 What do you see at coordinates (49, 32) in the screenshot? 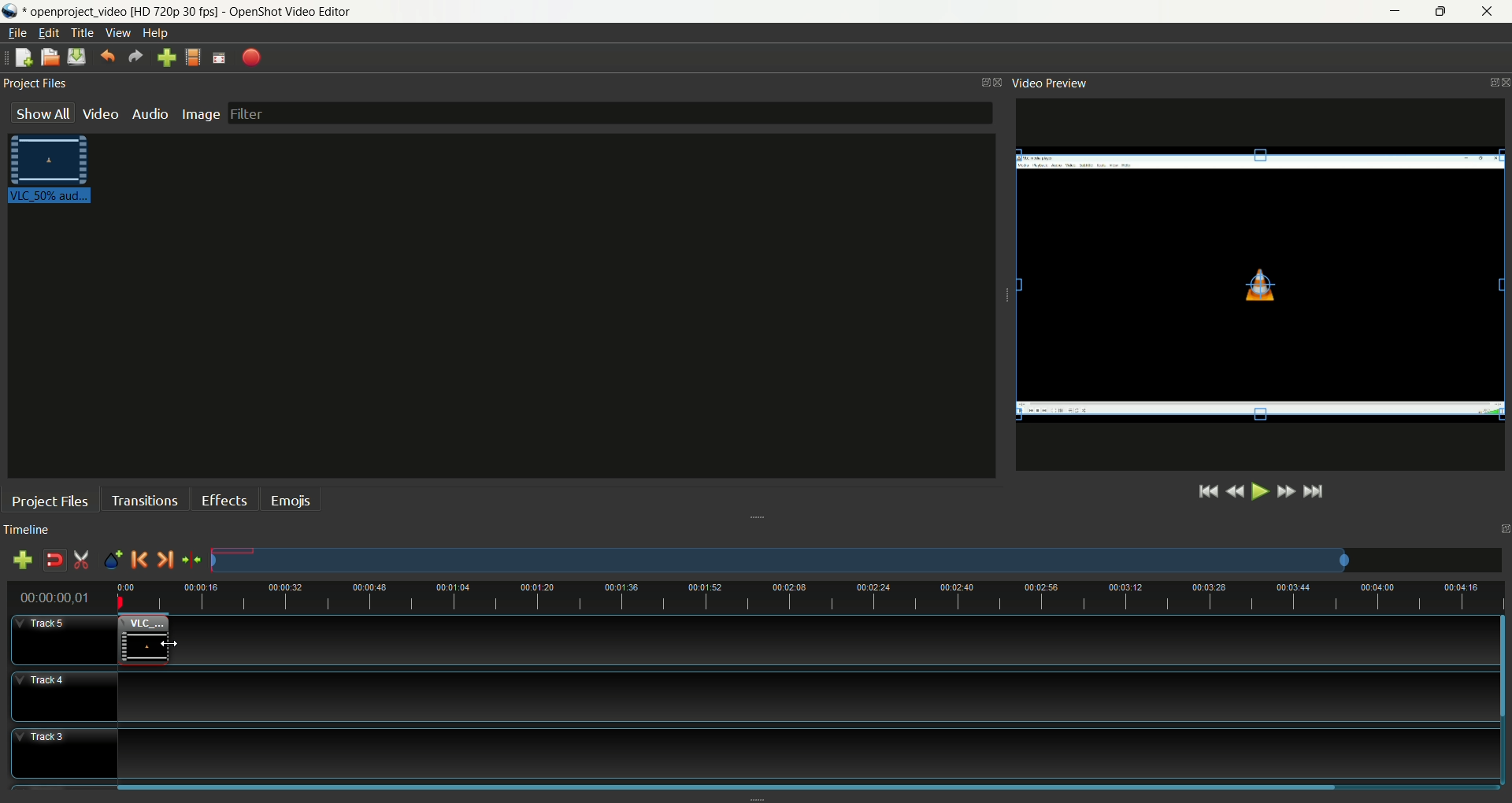
I see `edit` at bounding box center [49, 32].